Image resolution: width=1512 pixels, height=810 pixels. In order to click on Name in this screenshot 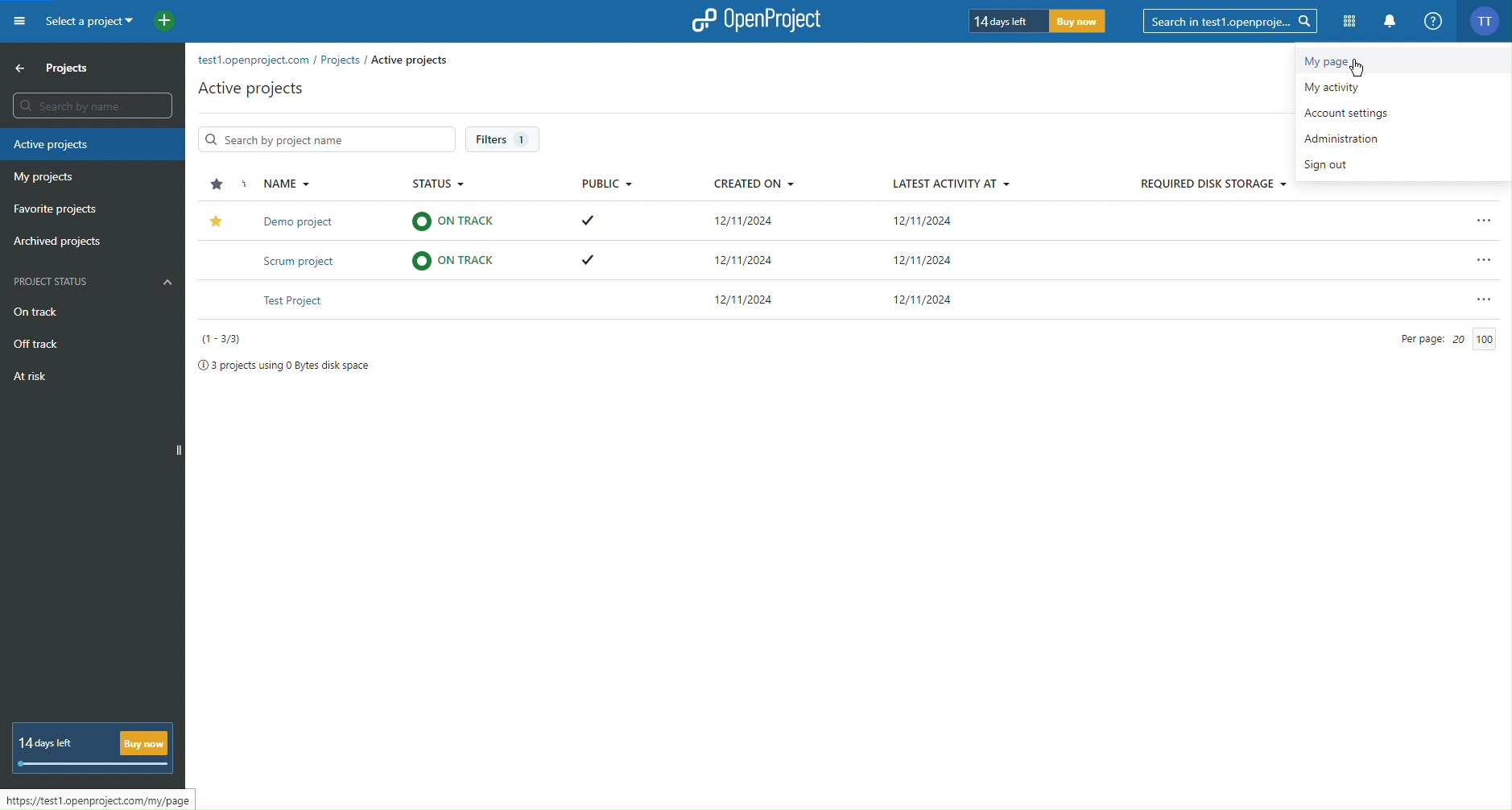, I will do `click(283, 183)`.